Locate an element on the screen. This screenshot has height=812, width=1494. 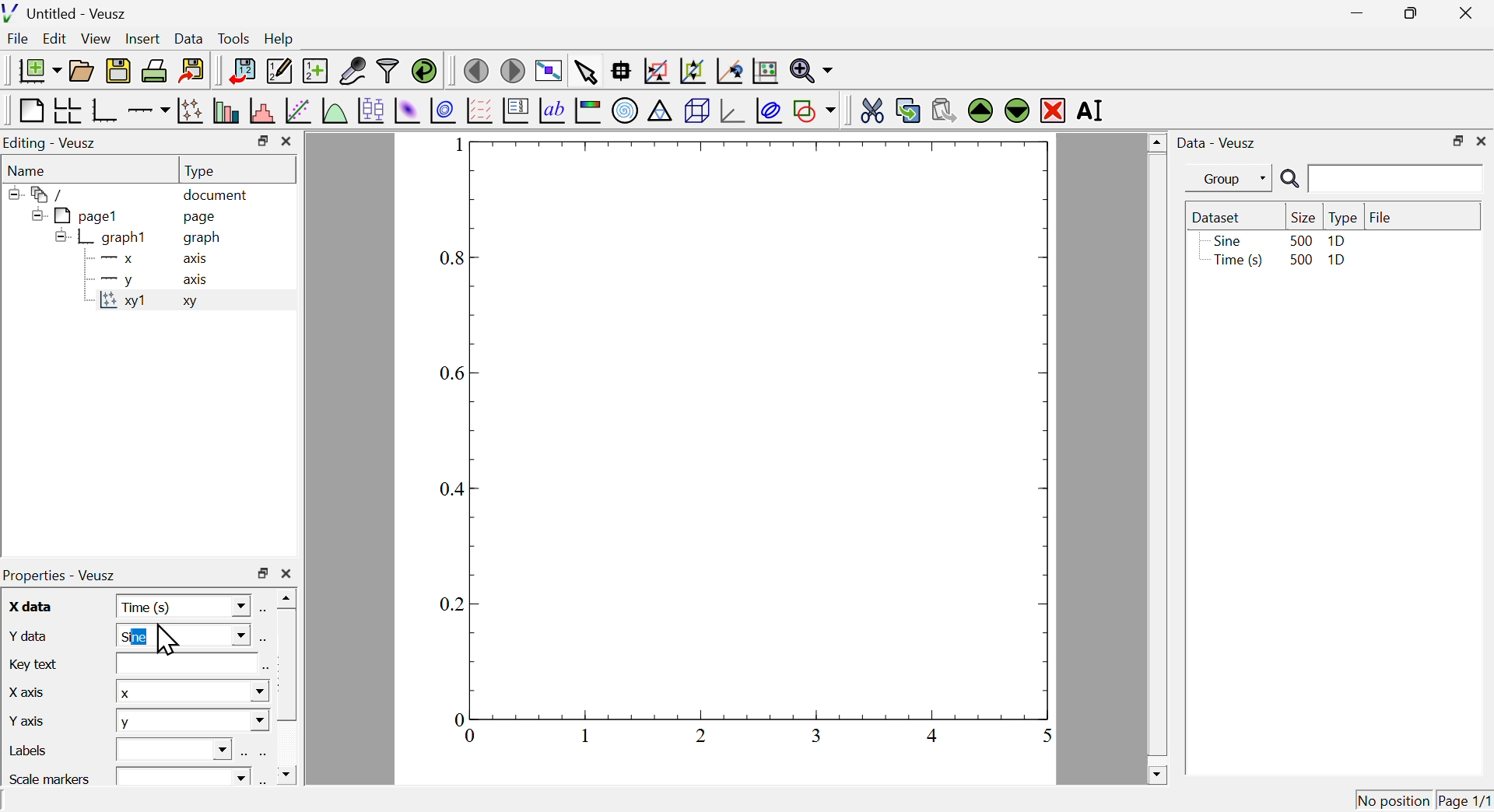
untitled - veusz is located at coordinates (67, 12).